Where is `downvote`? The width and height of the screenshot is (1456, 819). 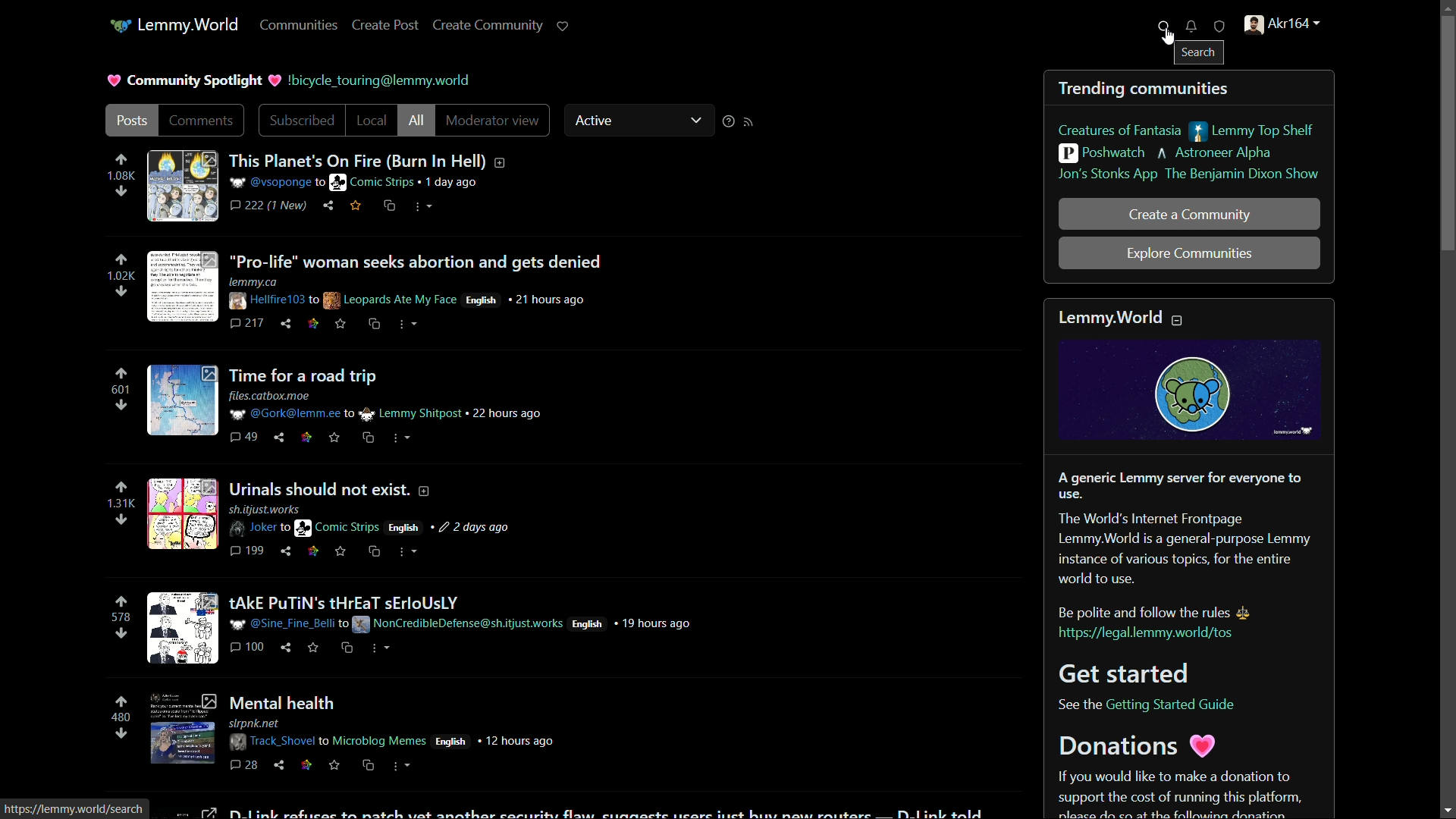
downvote is located at coordinates (120, 193).